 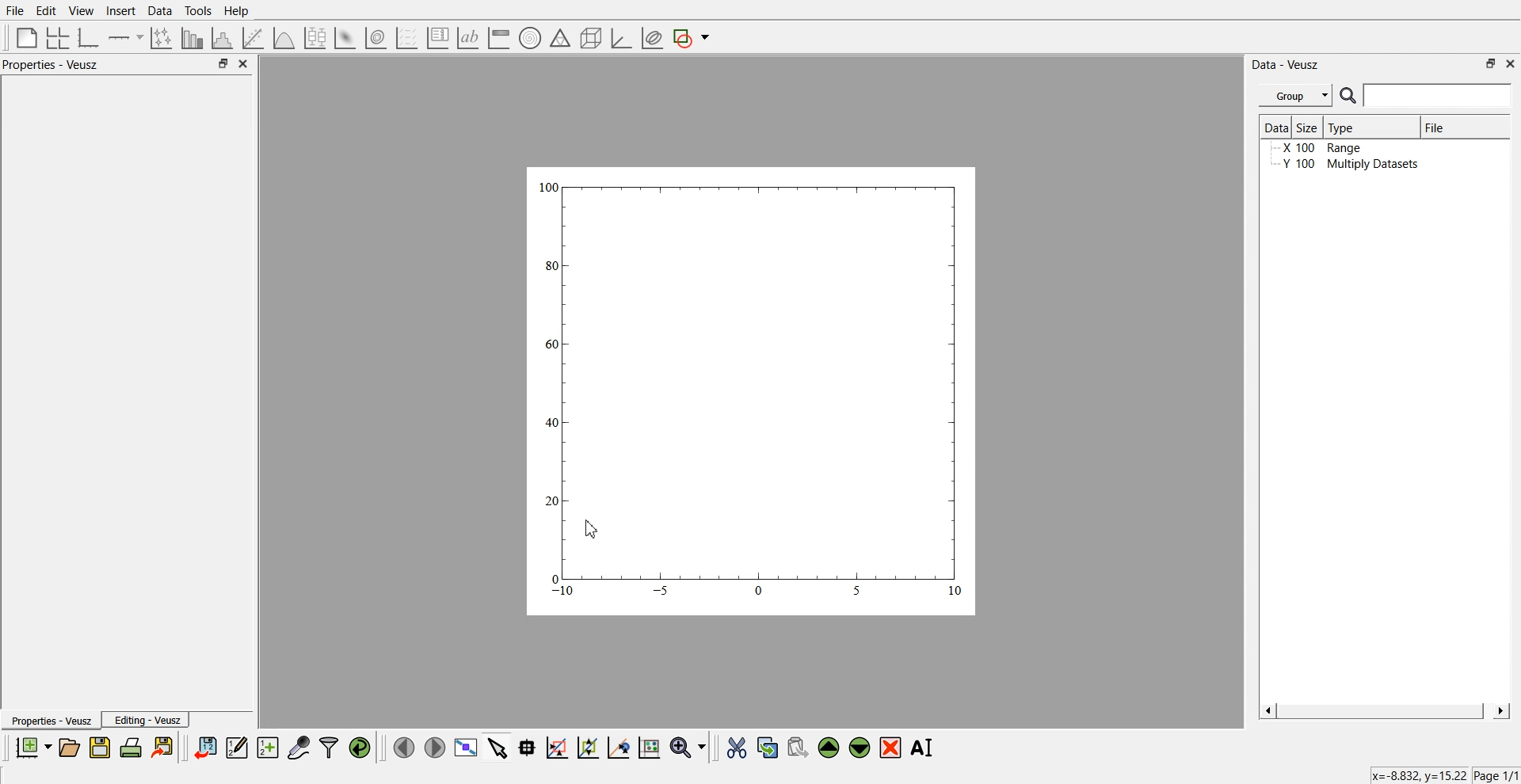 I want to click on 3d shapes, so click(x=588, y=38).